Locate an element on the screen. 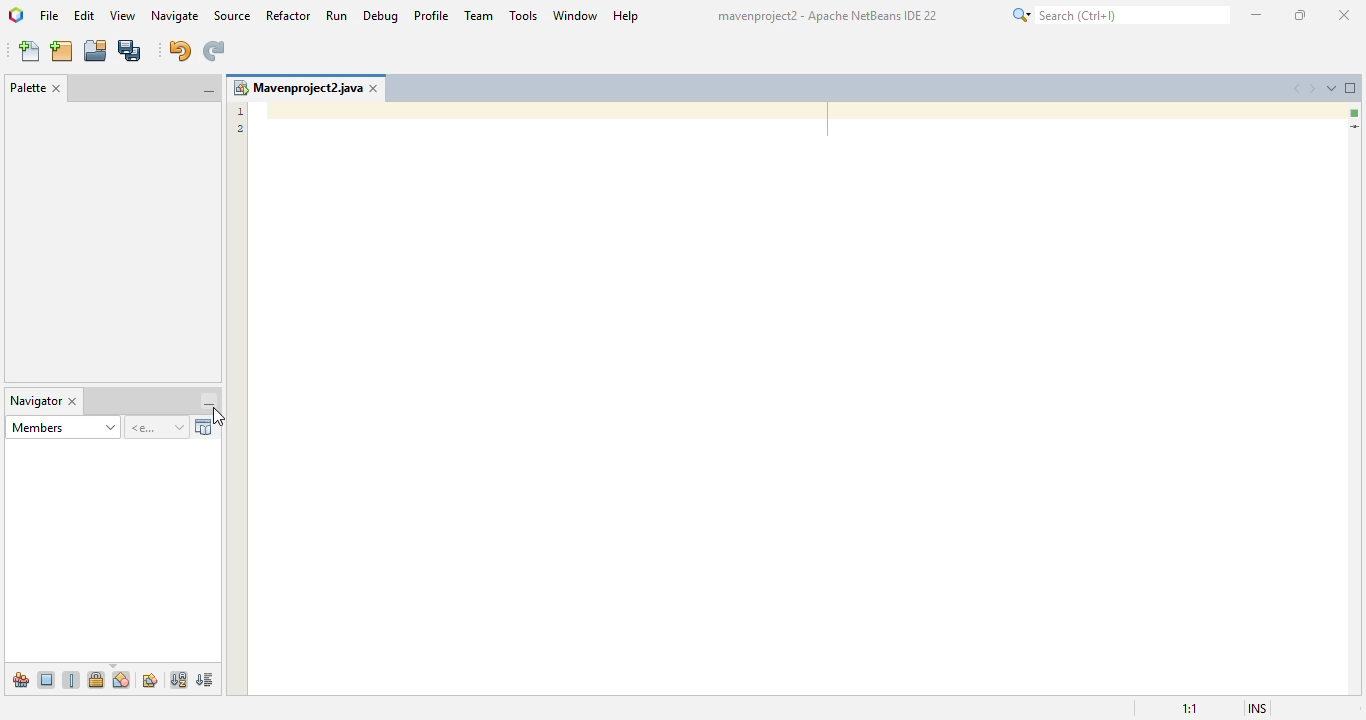  open project is located at coordinates (96, 50).